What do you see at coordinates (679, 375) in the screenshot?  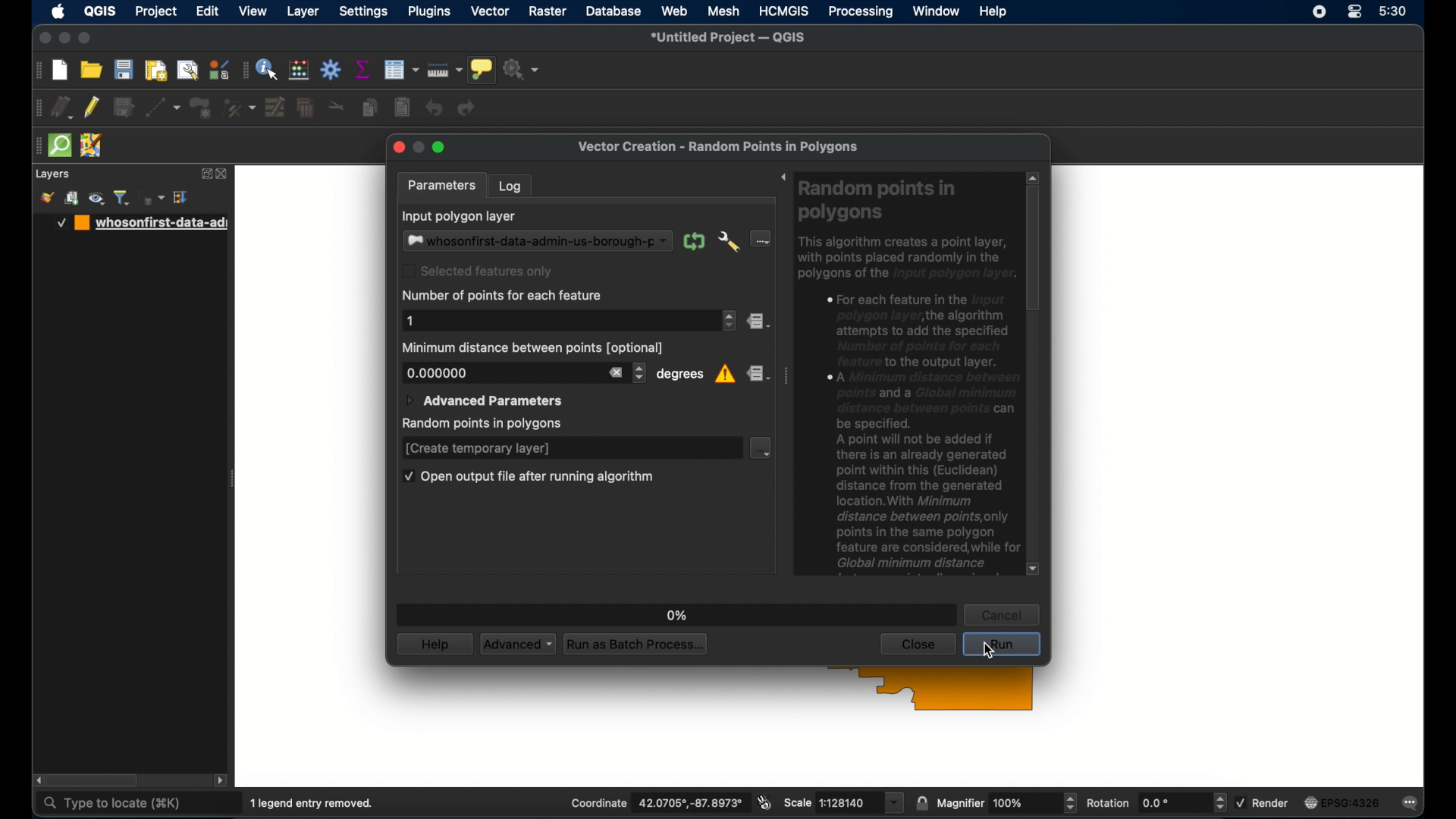 I see `degrees` at bounding box center [679, 375].